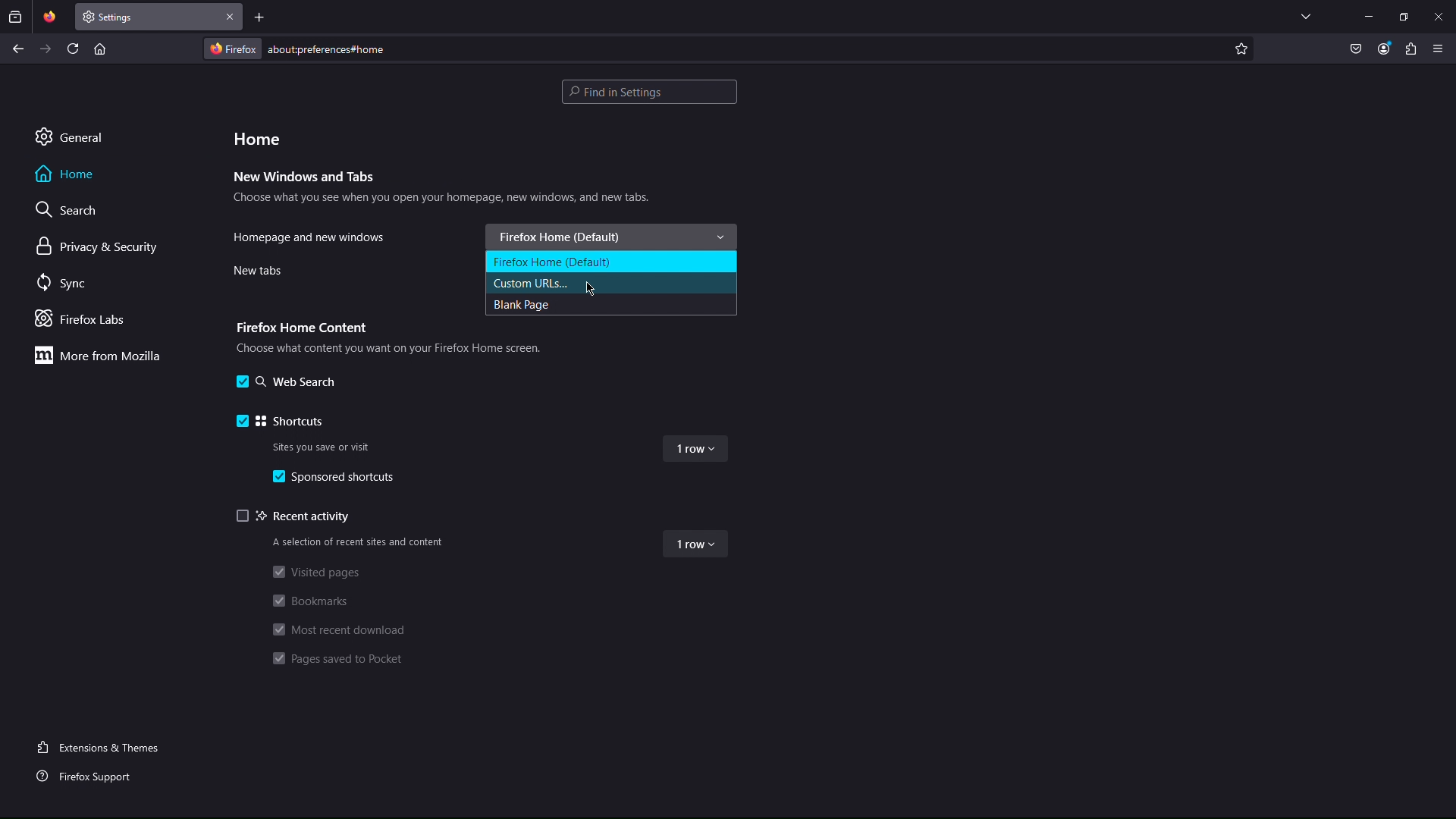 This screenshot has width=1456, height=819. I want to click on Add new tab, so click(260, 17).